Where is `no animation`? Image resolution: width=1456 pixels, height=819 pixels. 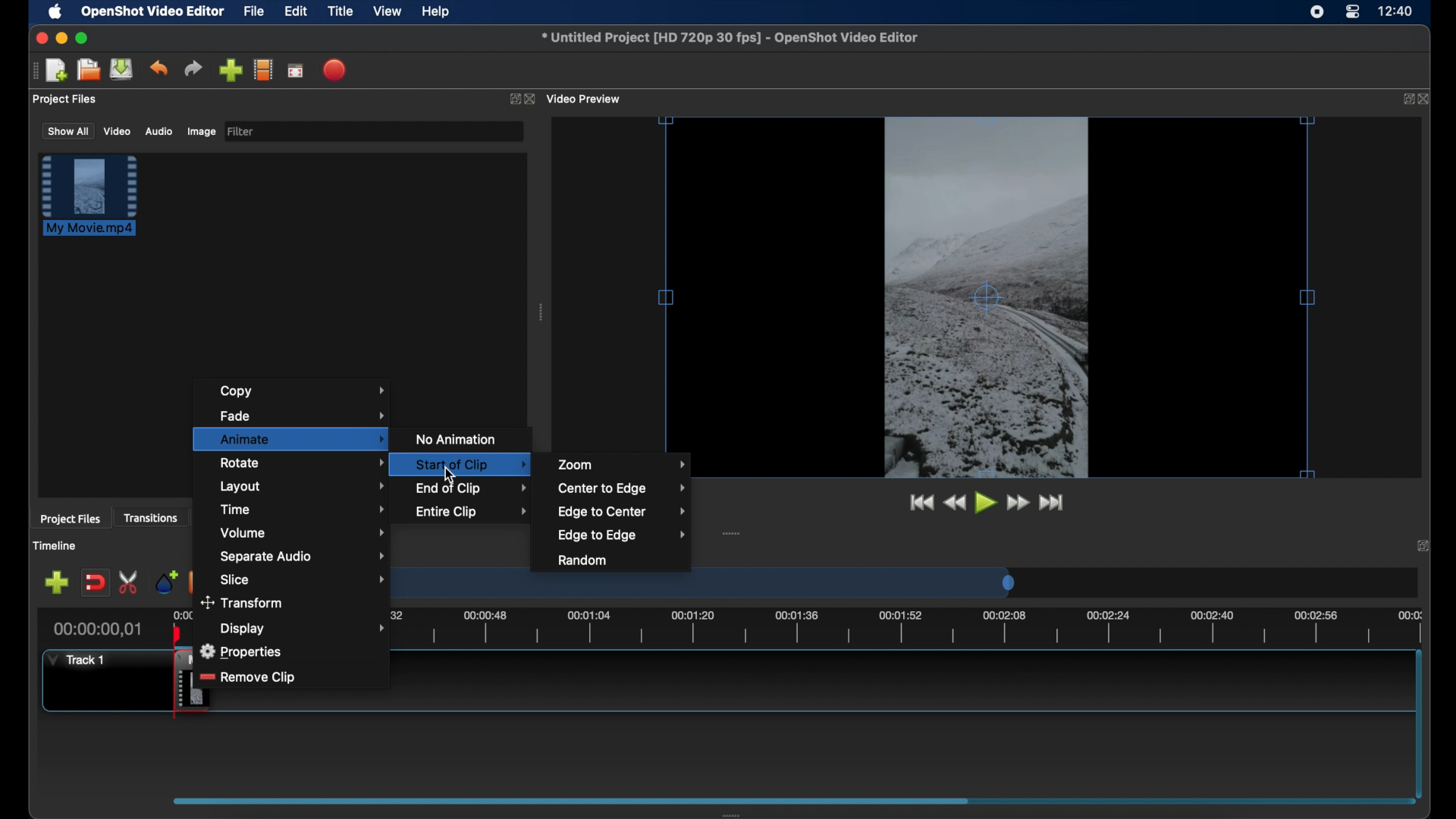
no animation is located at coordinates (458, 439).